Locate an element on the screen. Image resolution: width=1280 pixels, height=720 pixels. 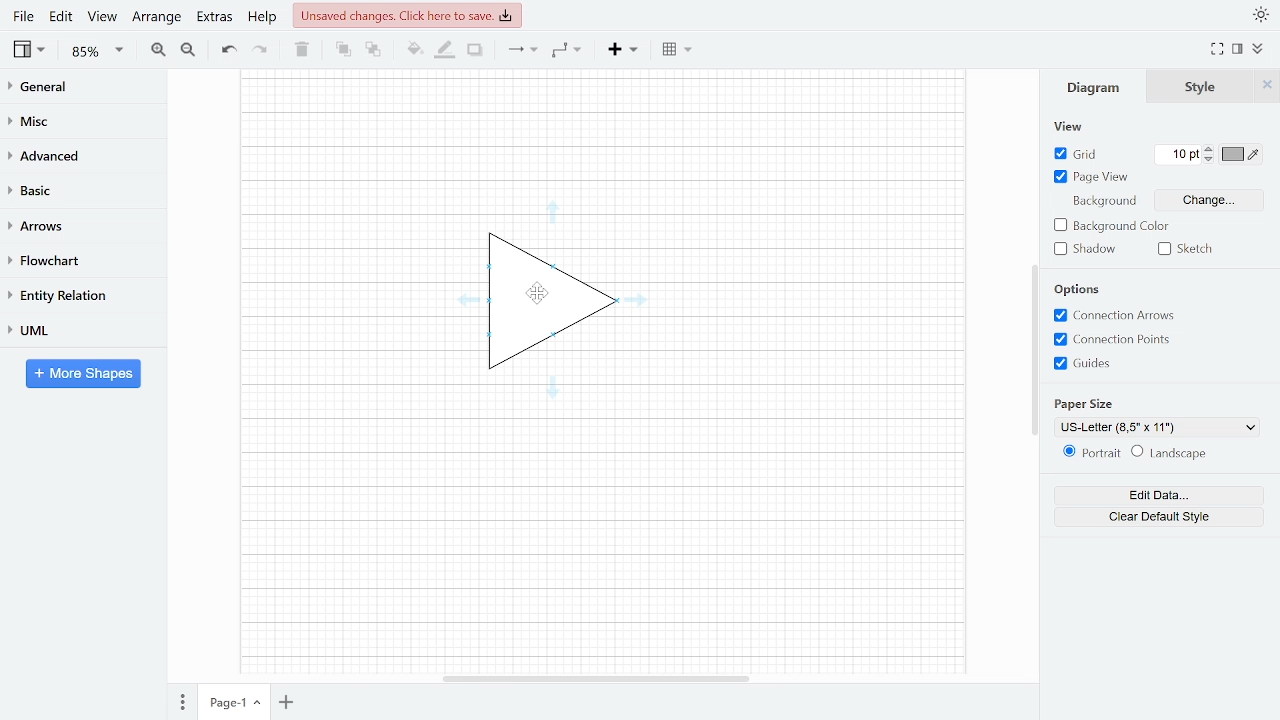
Change background is located at coordinates (1209, 200).